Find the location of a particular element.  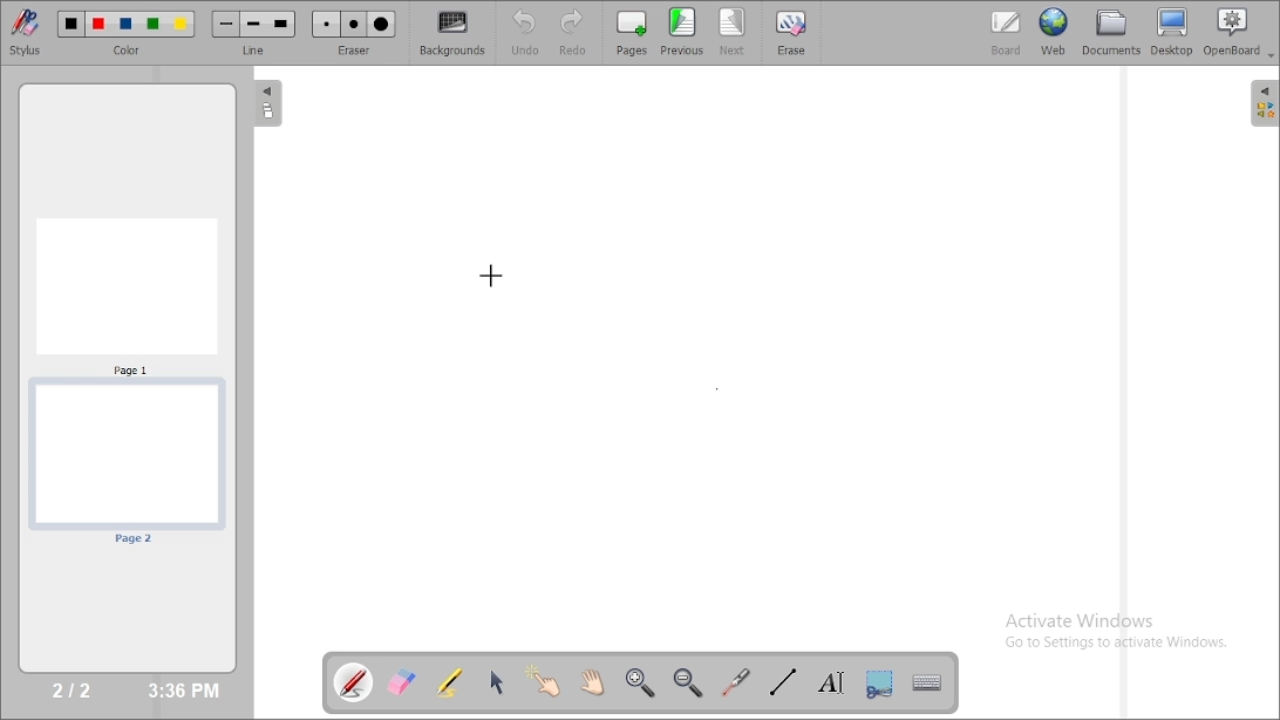

Color 1 is located at coordinates (72, 25).